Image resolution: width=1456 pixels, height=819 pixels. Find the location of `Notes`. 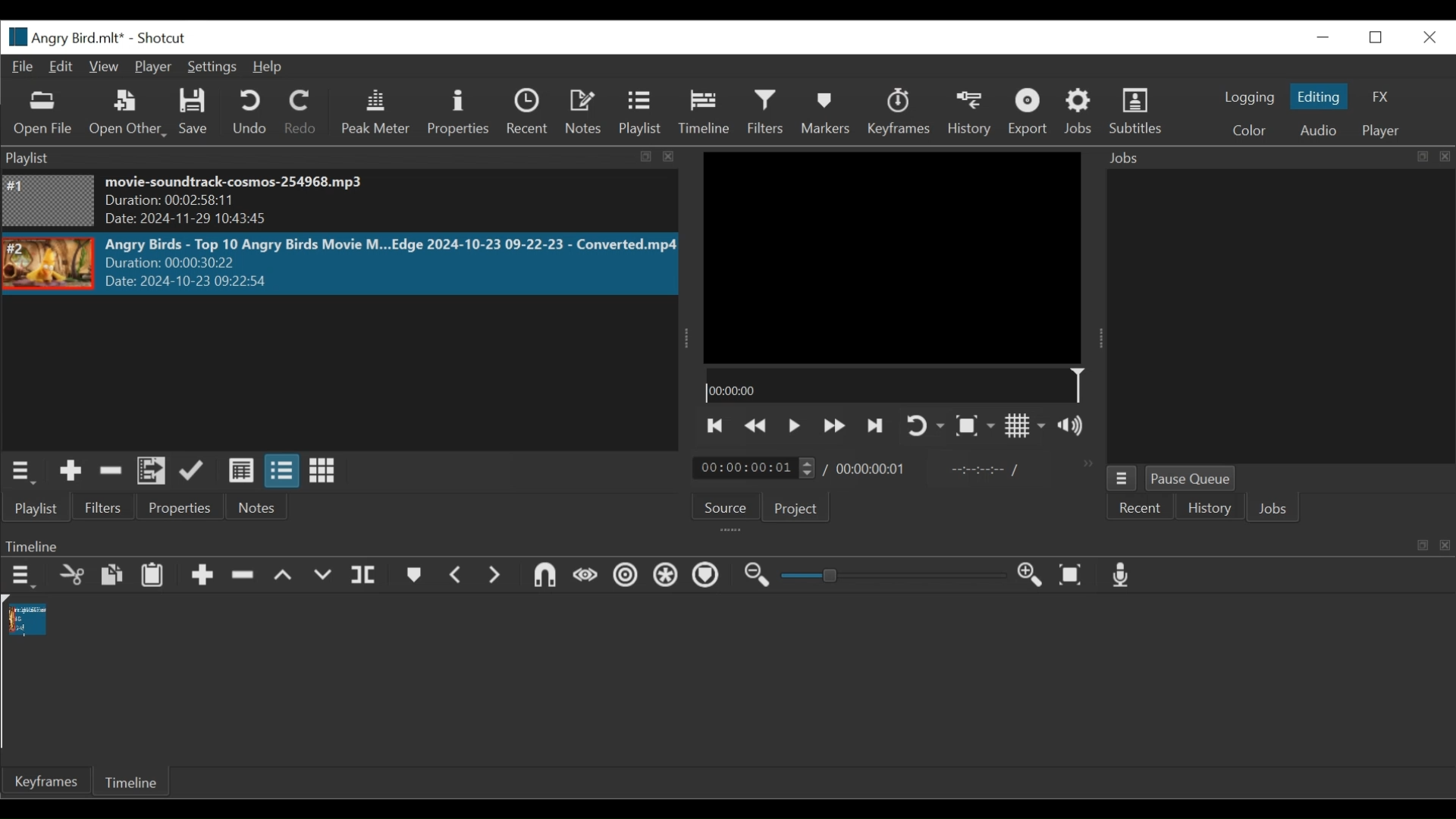

Notes is located at coordinates (256, 508).